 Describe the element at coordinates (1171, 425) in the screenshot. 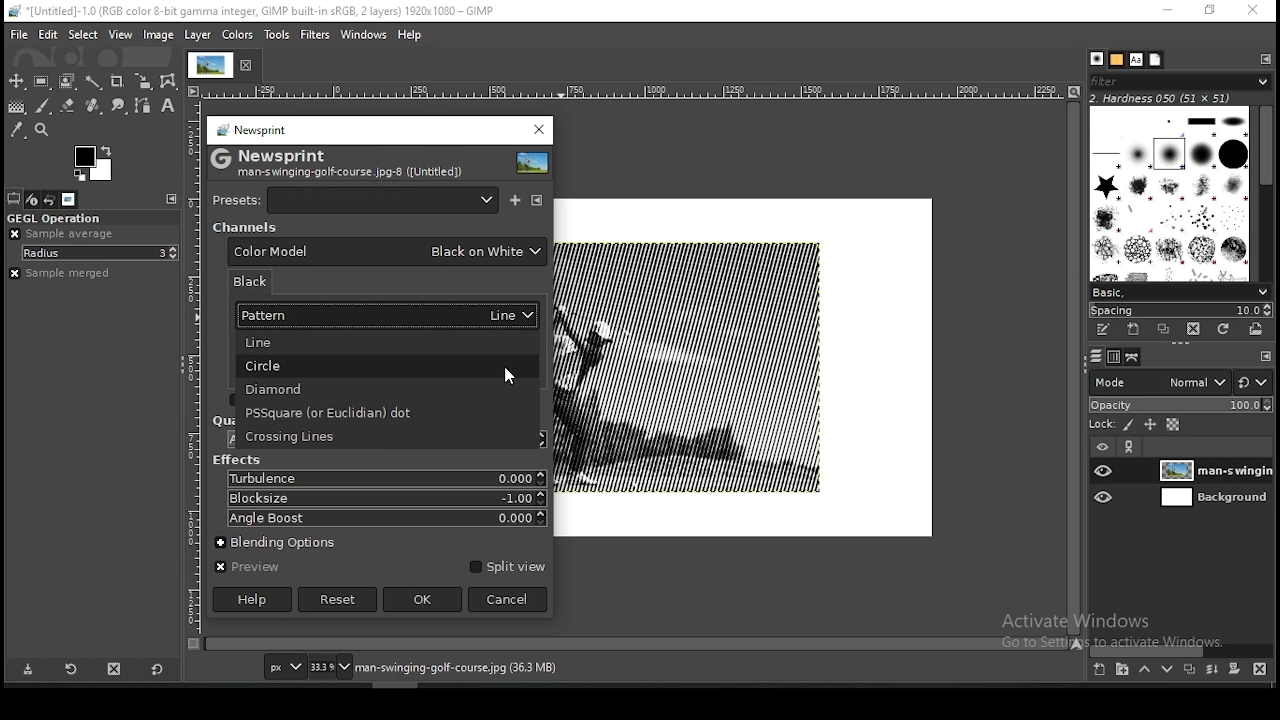

I see `lock alpha channel` at that location.